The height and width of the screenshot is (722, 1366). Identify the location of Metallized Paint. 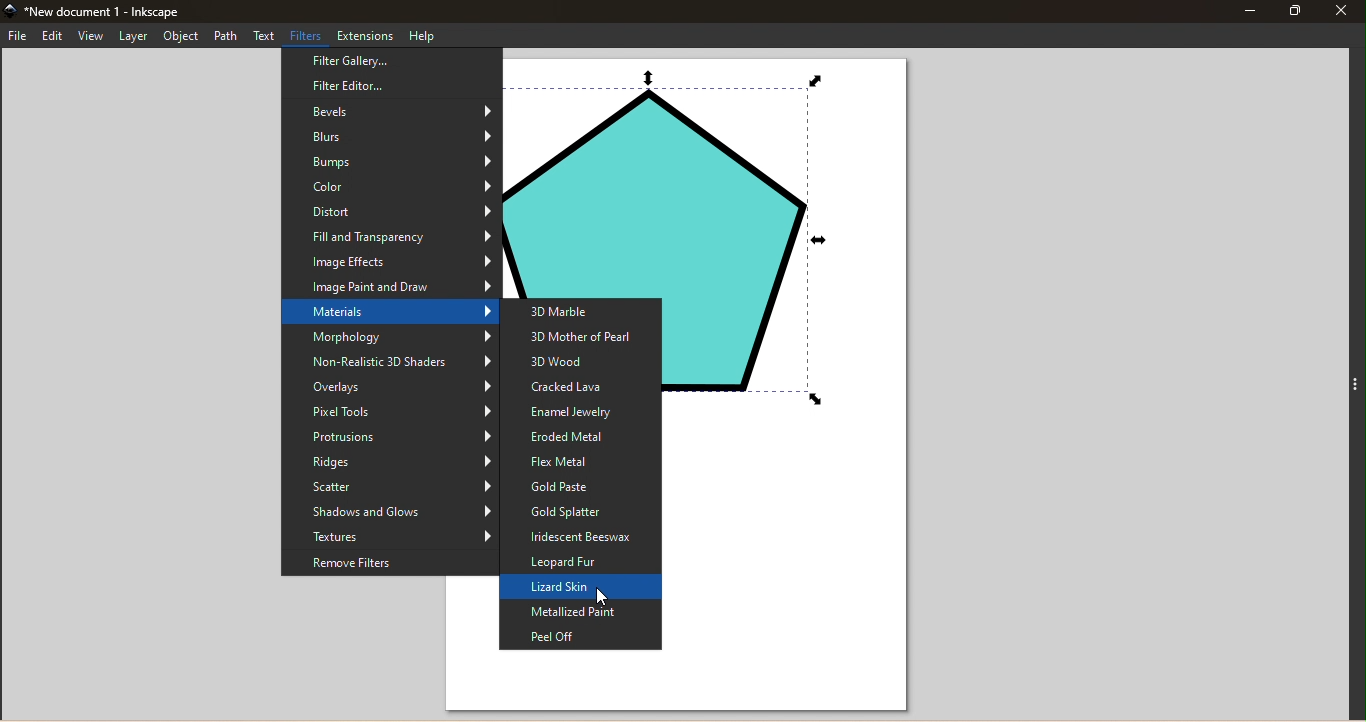
(582, 612).